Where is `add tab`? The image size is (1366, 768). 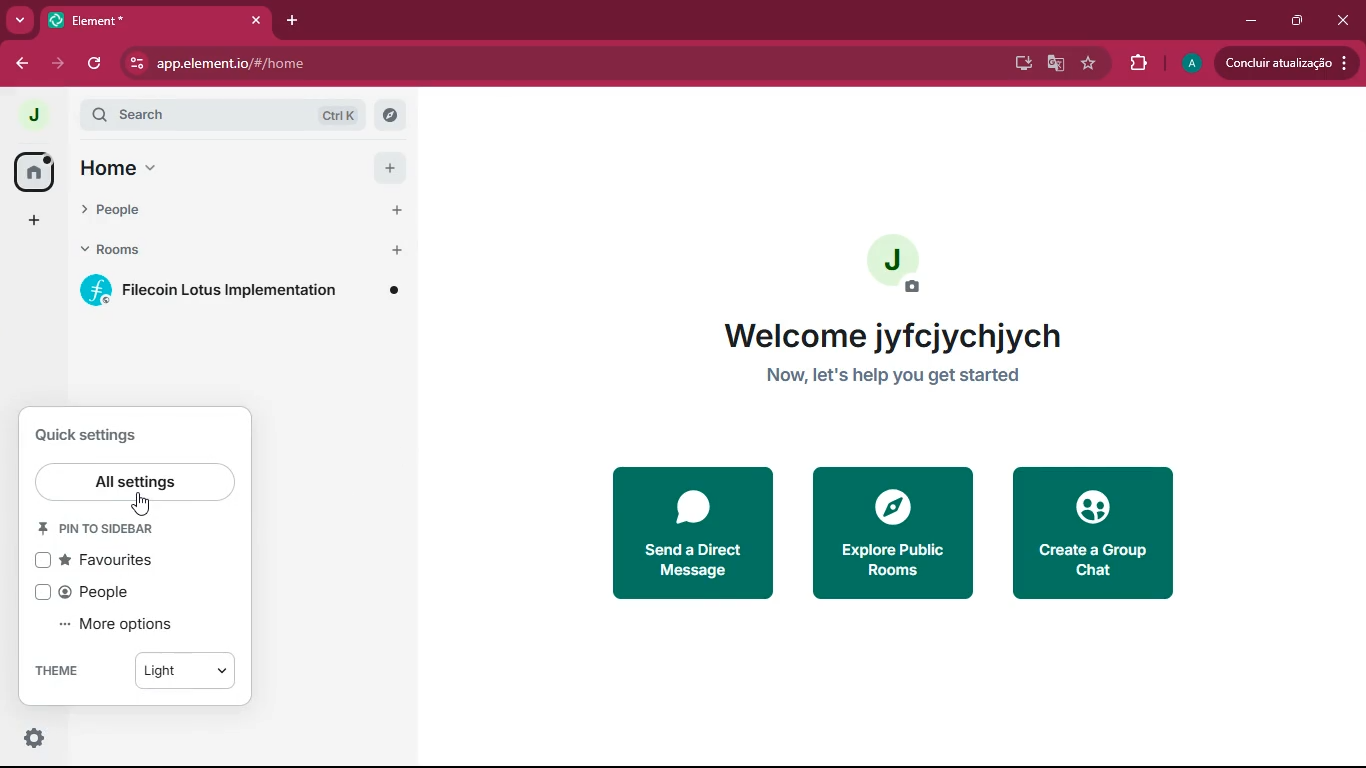 add tab is located at coordinates (291, 21).